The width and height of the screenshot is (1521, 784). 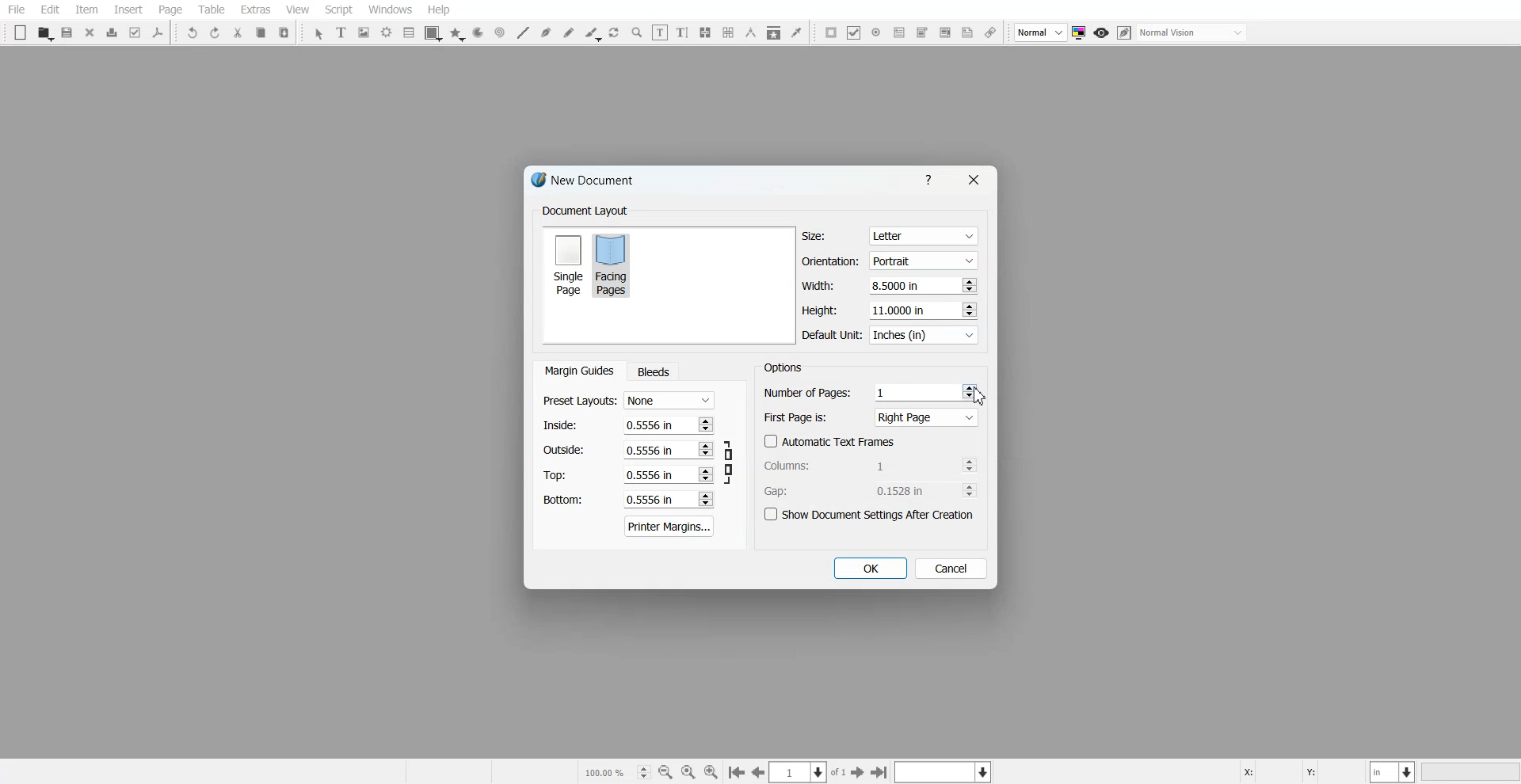 What do you see at coordinates (1393, 771) in the screenshot?
I see `Measurement in Inches` at bounding box center [1393, 771].